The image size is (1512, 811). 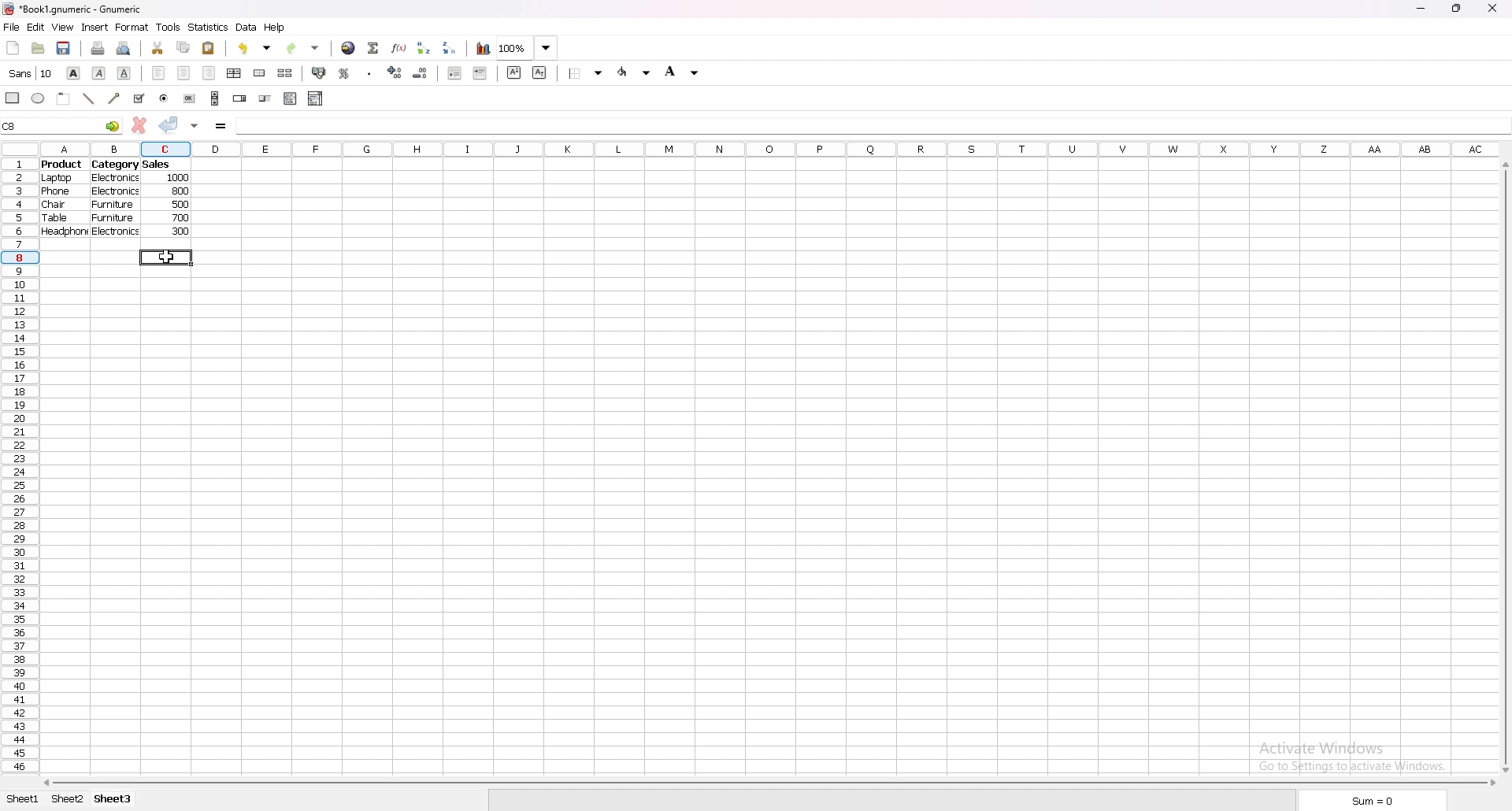 What do you see at coordinates (320, 72) in the screenshot?
I see `accounting` at bounding box center [320, 72].